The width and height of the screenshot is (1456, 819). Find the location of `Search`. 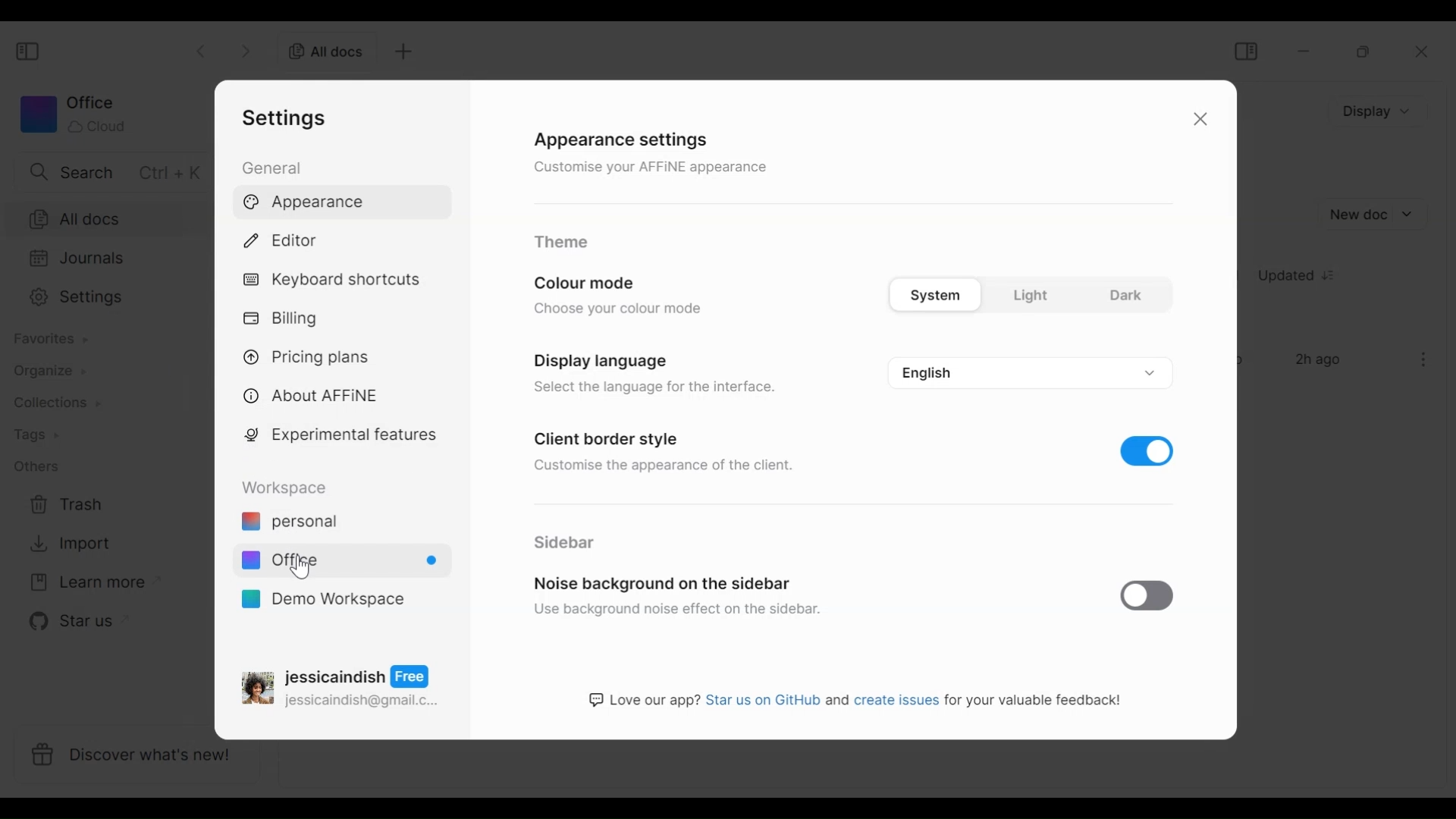

Search is located at coordinates (111, 171).